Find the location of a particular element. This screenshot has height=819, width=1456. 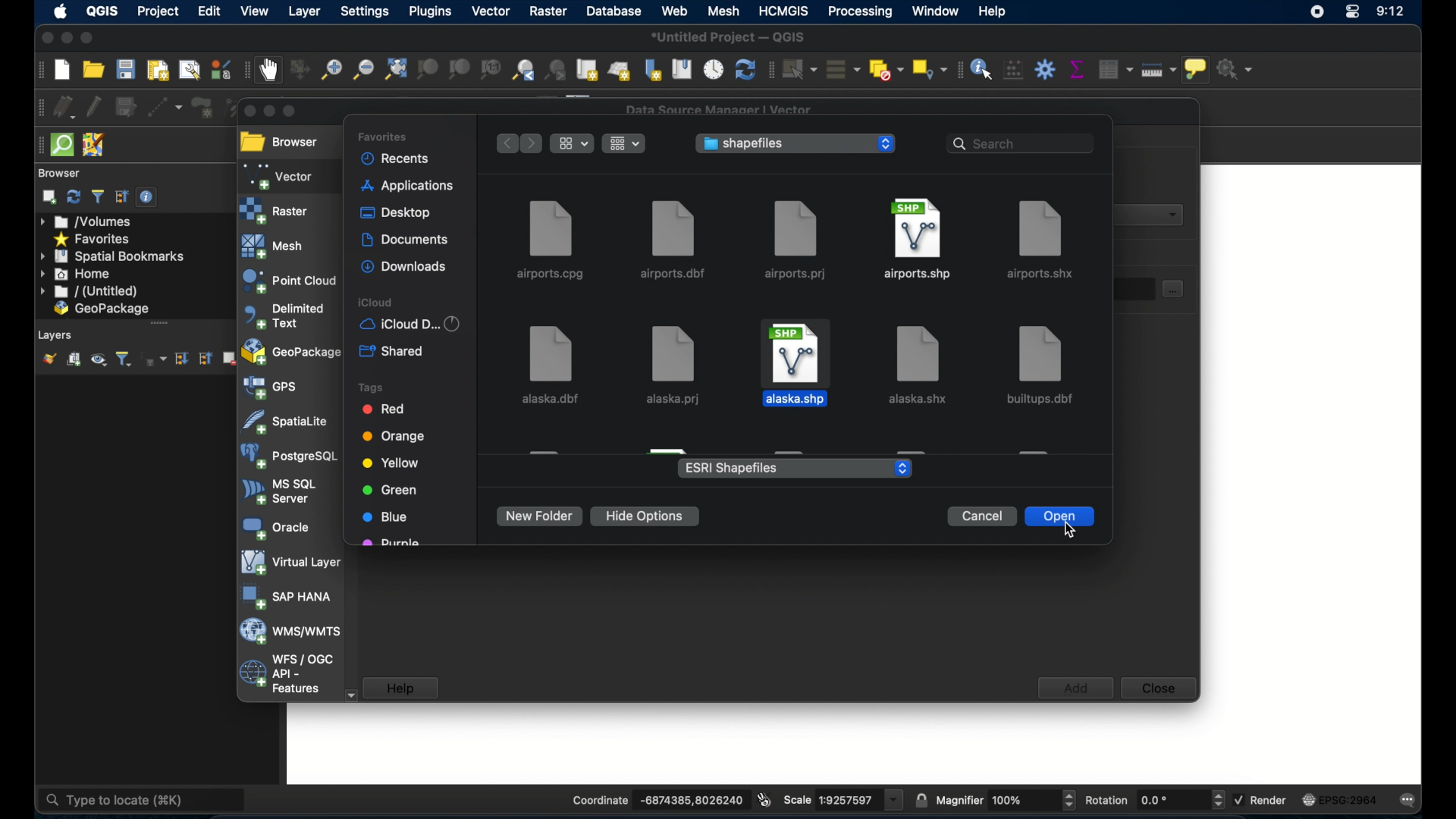

layer is located at coordinates (302, 11).